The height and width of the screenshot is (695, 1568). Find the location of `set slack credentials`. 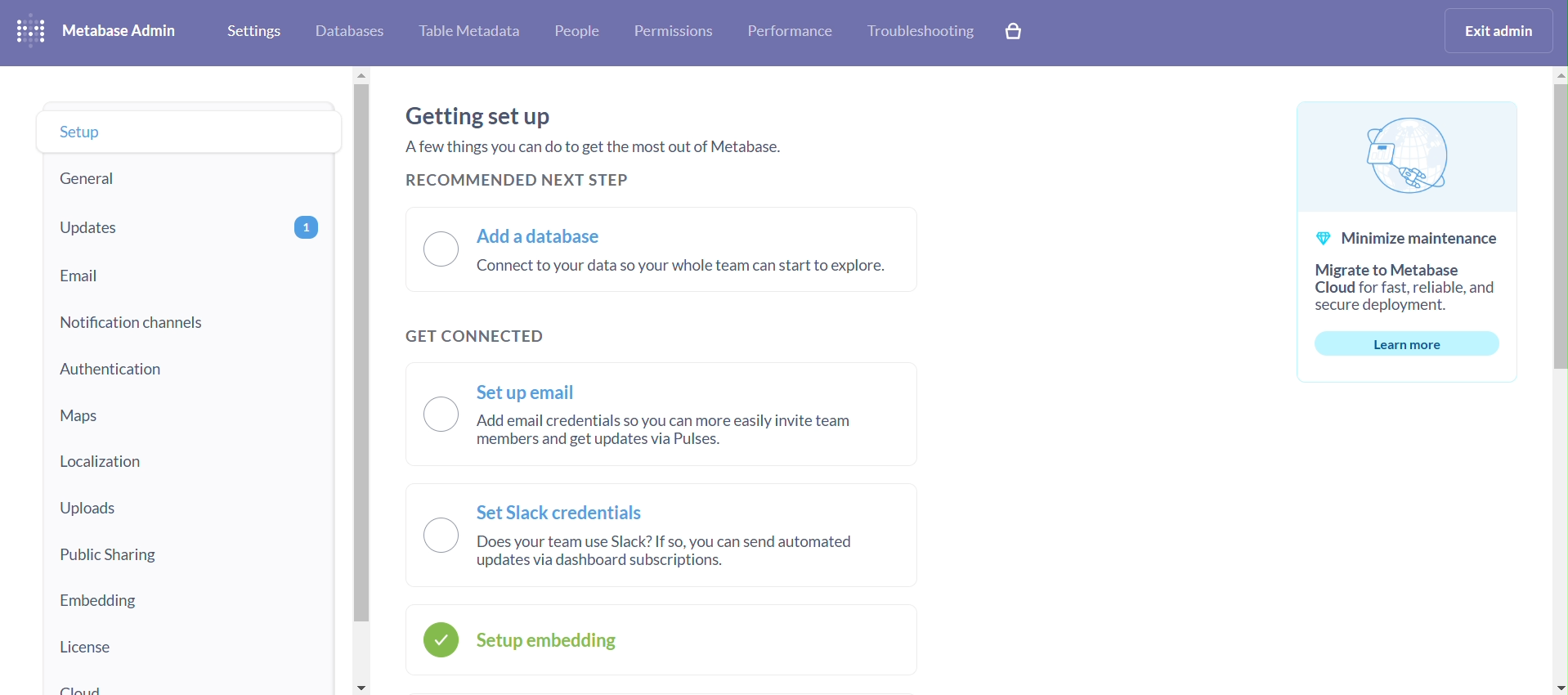

set slack credentials is located at coordinates (663, 536).